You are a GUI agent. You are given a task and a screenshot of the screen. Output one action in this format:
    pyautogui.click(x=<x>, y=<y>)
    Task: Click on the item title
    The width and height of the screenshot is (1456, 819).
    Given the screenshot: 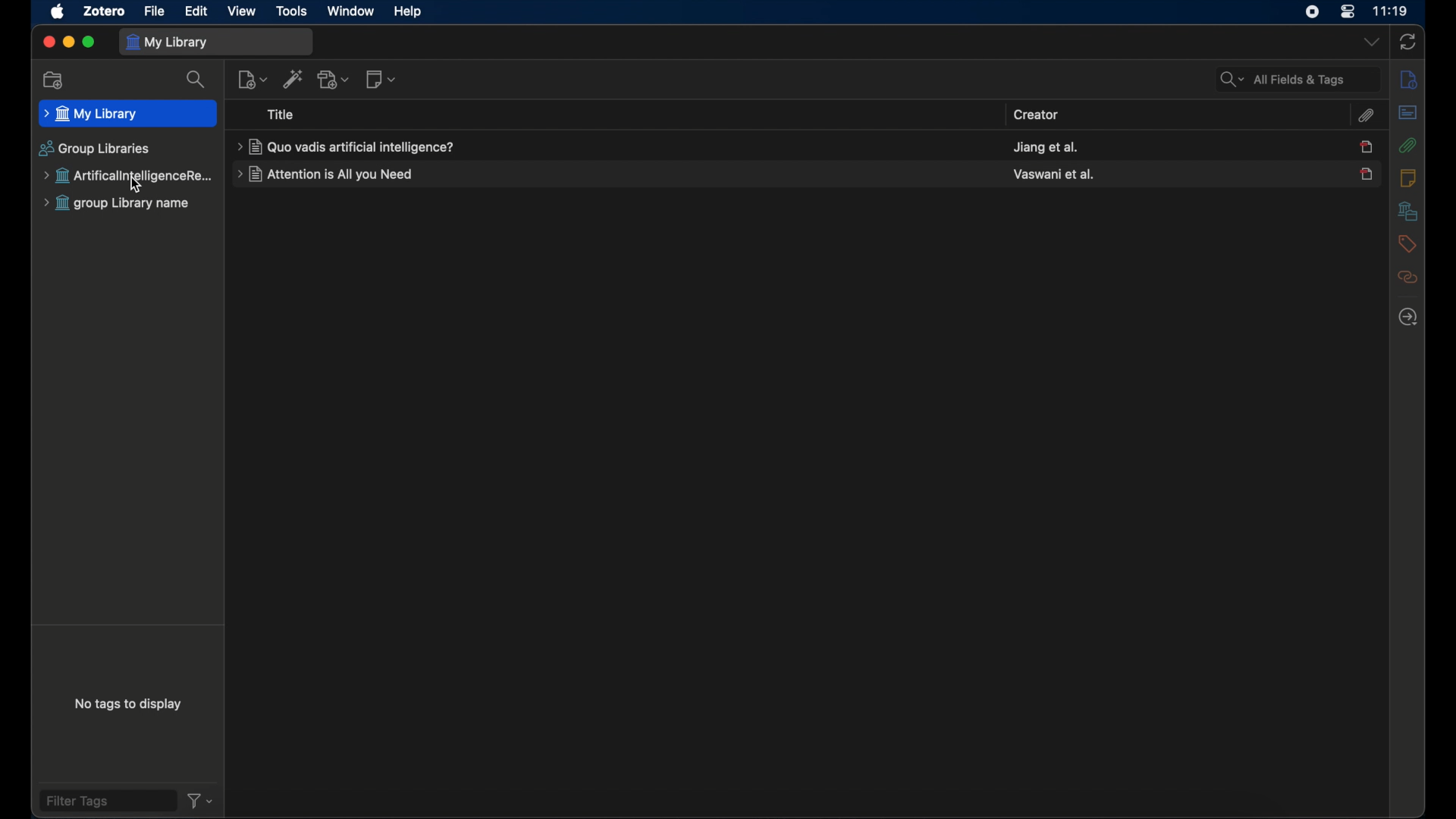 What is the action you would take?
    pyautogui.click(x=329, y=174)
    